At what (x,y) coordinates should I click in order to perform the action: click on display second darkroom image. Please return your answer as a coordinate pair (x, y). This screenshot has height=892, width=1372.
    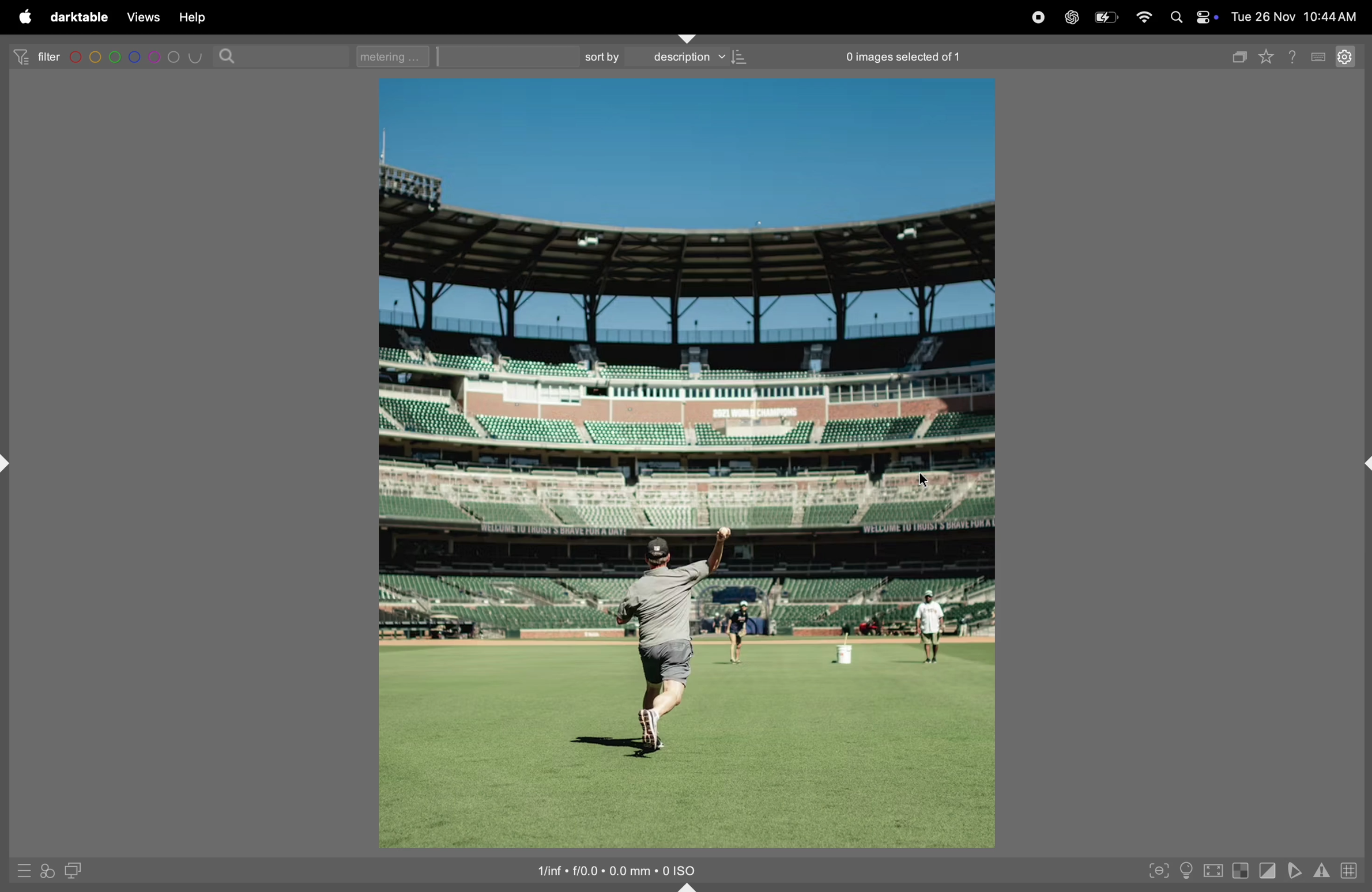
    Looking at the image, I should click on (77, 872).